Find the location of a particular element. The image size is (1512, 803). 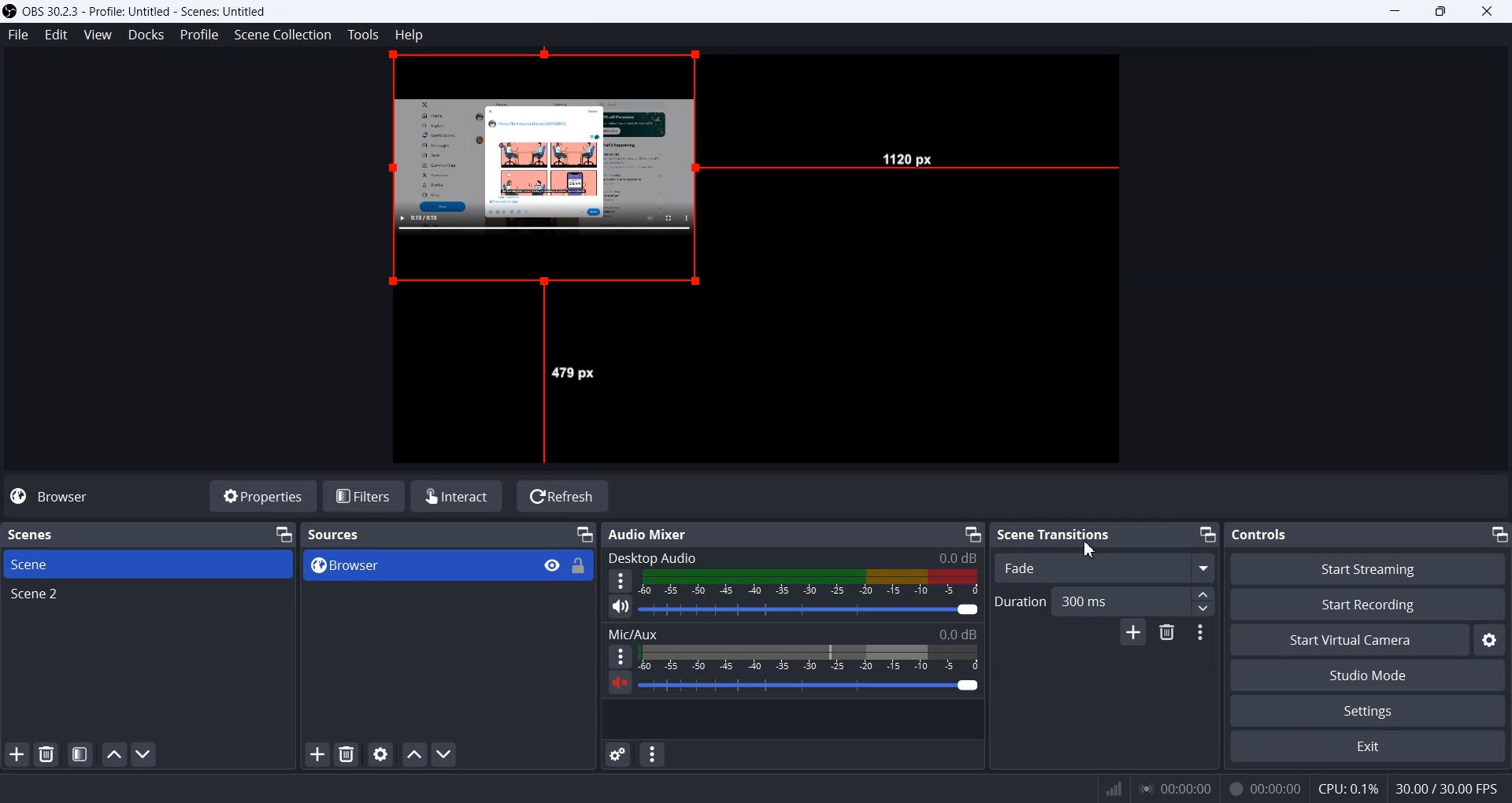

Properties is located at coordinates (263, 497).